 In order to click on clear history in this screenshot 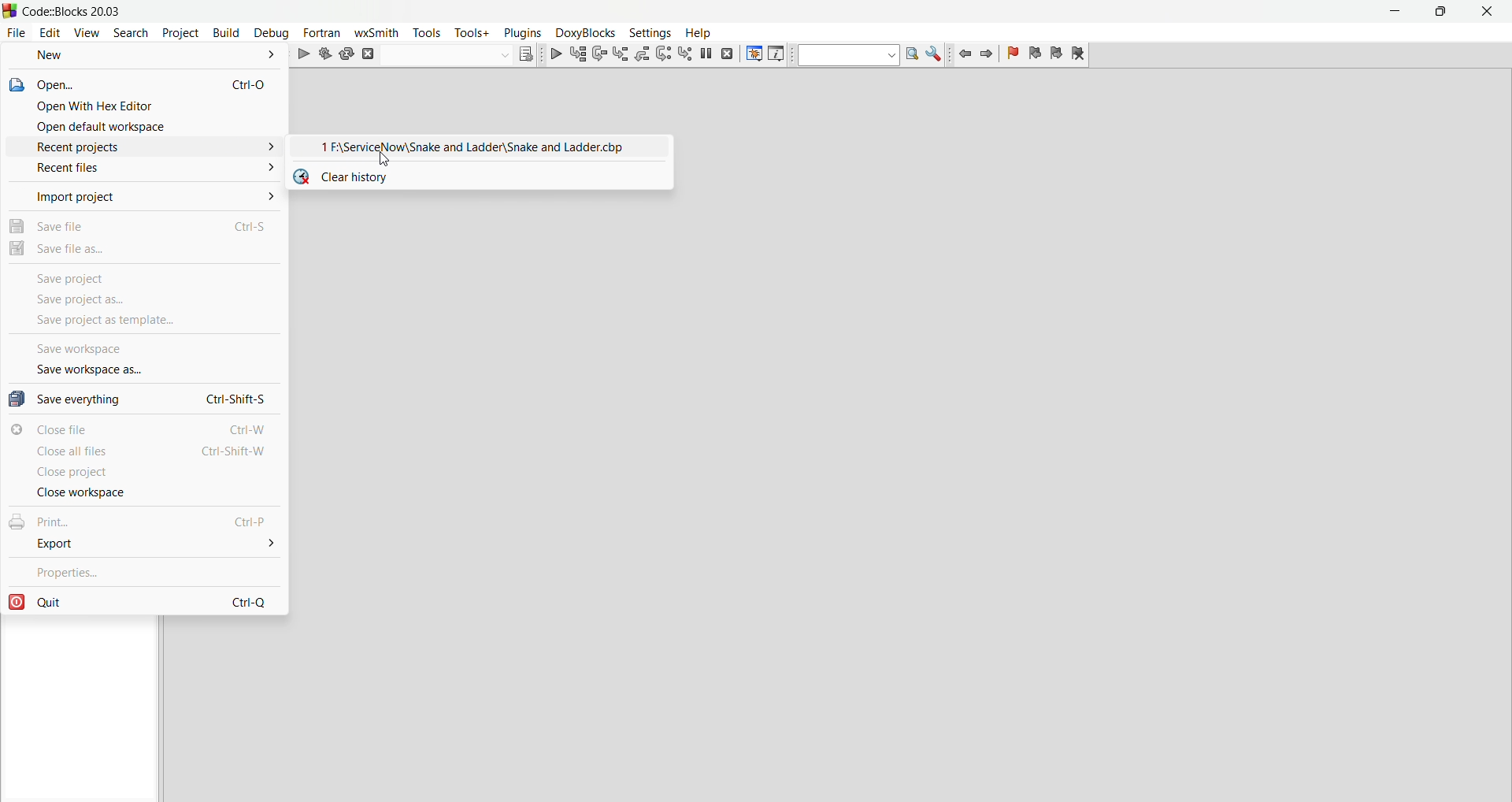, I will do `click(484, 176)`.